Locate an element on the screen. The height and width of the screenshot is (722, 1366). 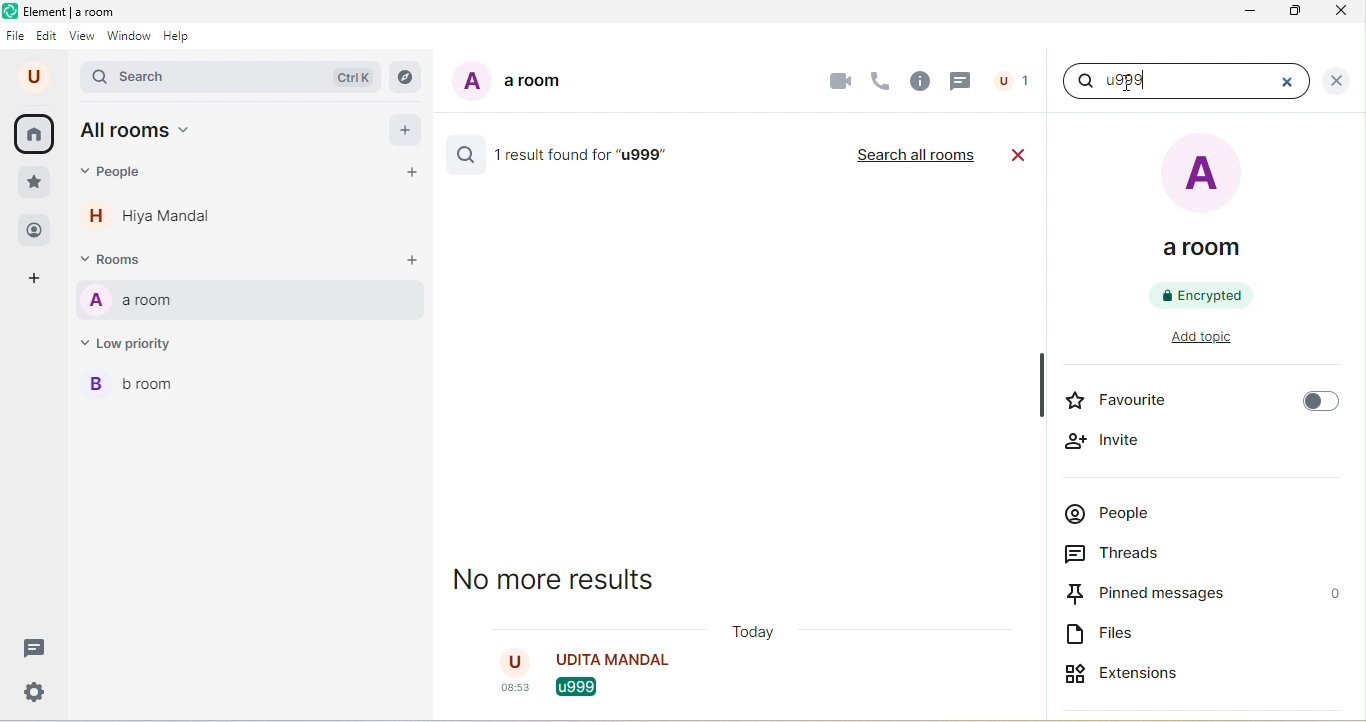
search all rooms is located at coordinates (915, 156).